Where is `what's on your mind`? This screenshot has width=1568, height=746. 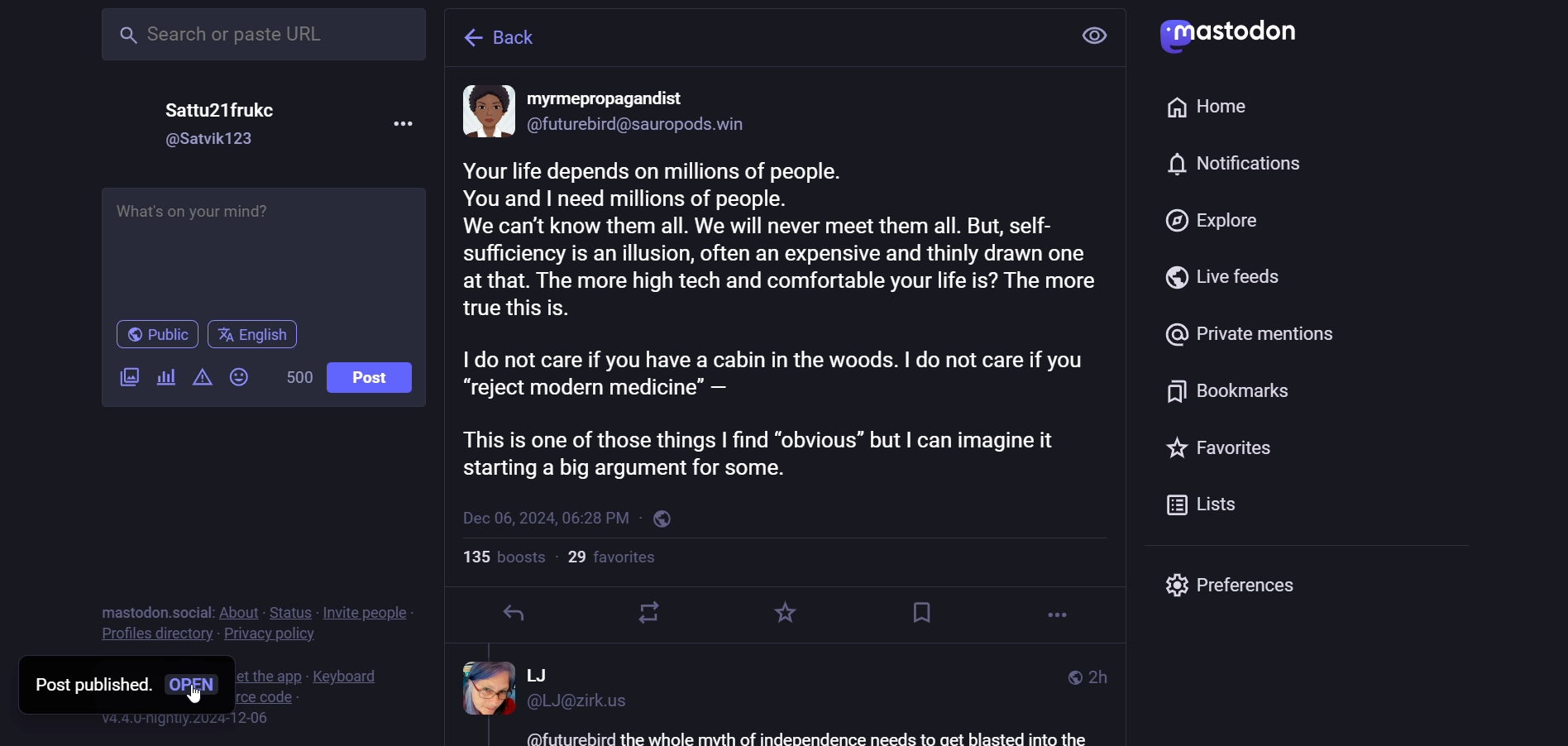 what's on your mind is located at coordinates (195, 213).